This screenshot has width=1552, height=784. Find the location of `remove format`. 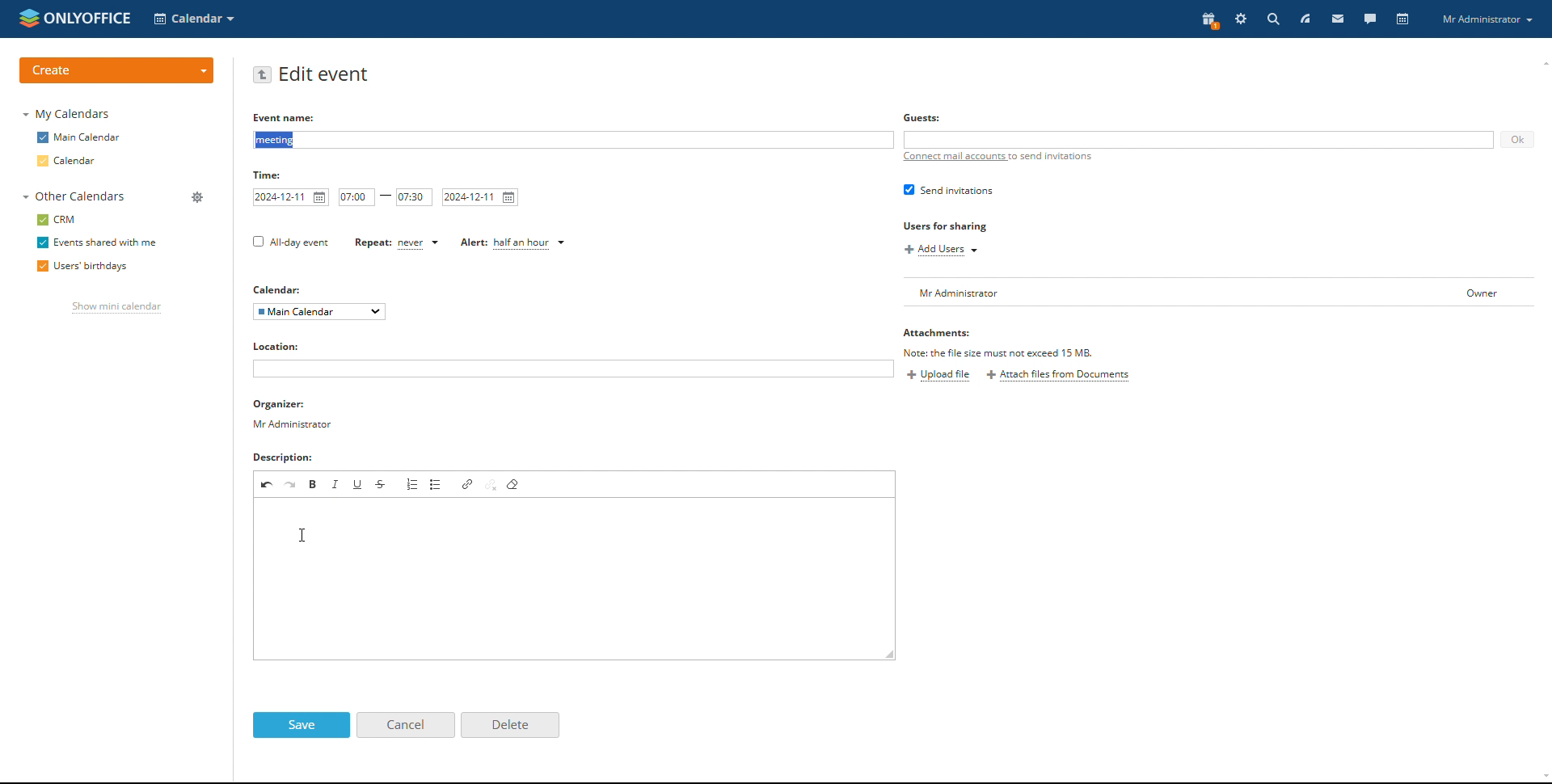

remove format is located at coordinates (515, 485).